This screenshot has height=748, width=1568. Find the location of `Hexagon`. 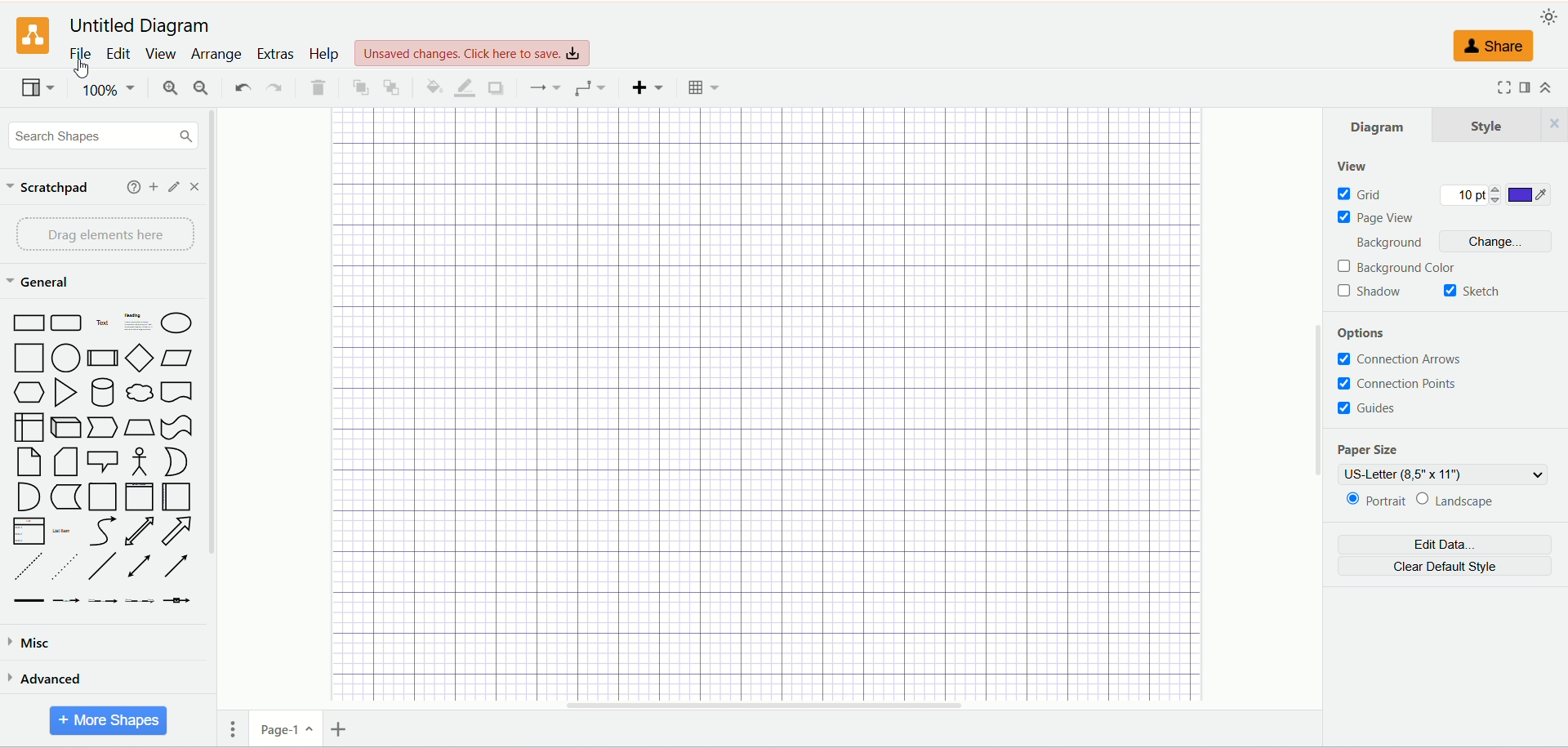

Hexagon is located at coordinates (30, 394).